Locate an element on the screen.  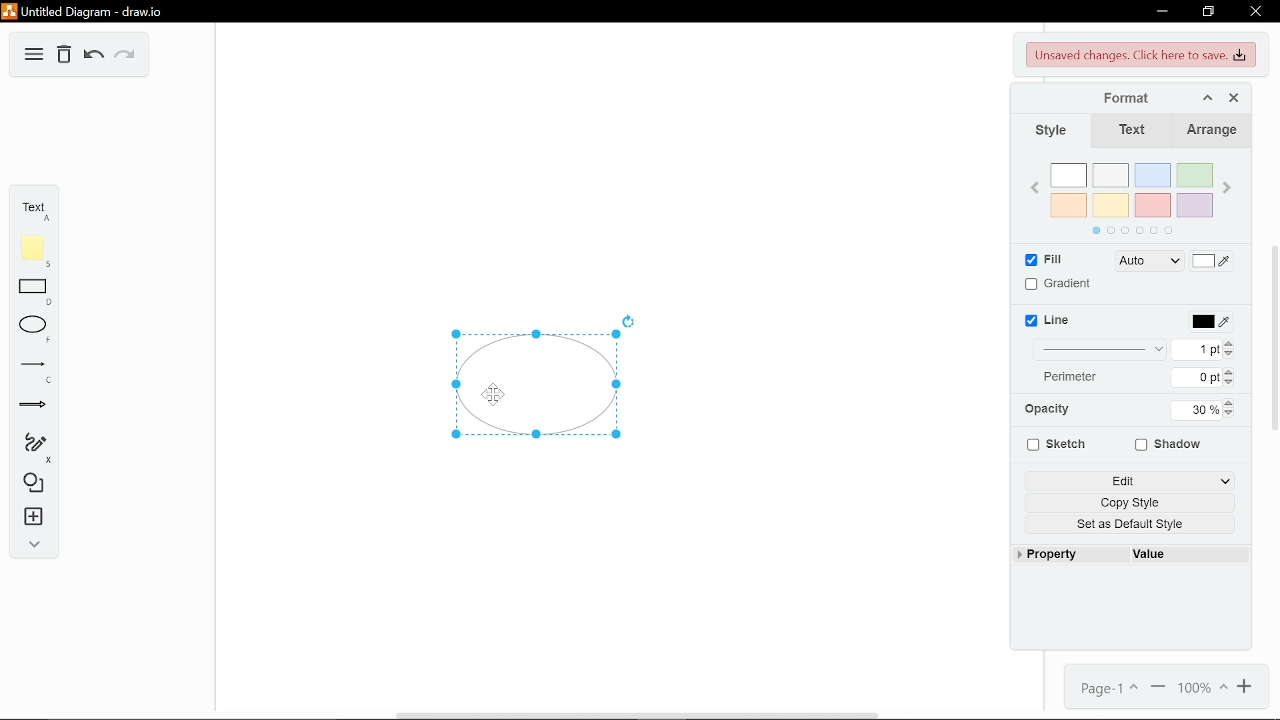
Sketch is located at coordinates (1052, 445).